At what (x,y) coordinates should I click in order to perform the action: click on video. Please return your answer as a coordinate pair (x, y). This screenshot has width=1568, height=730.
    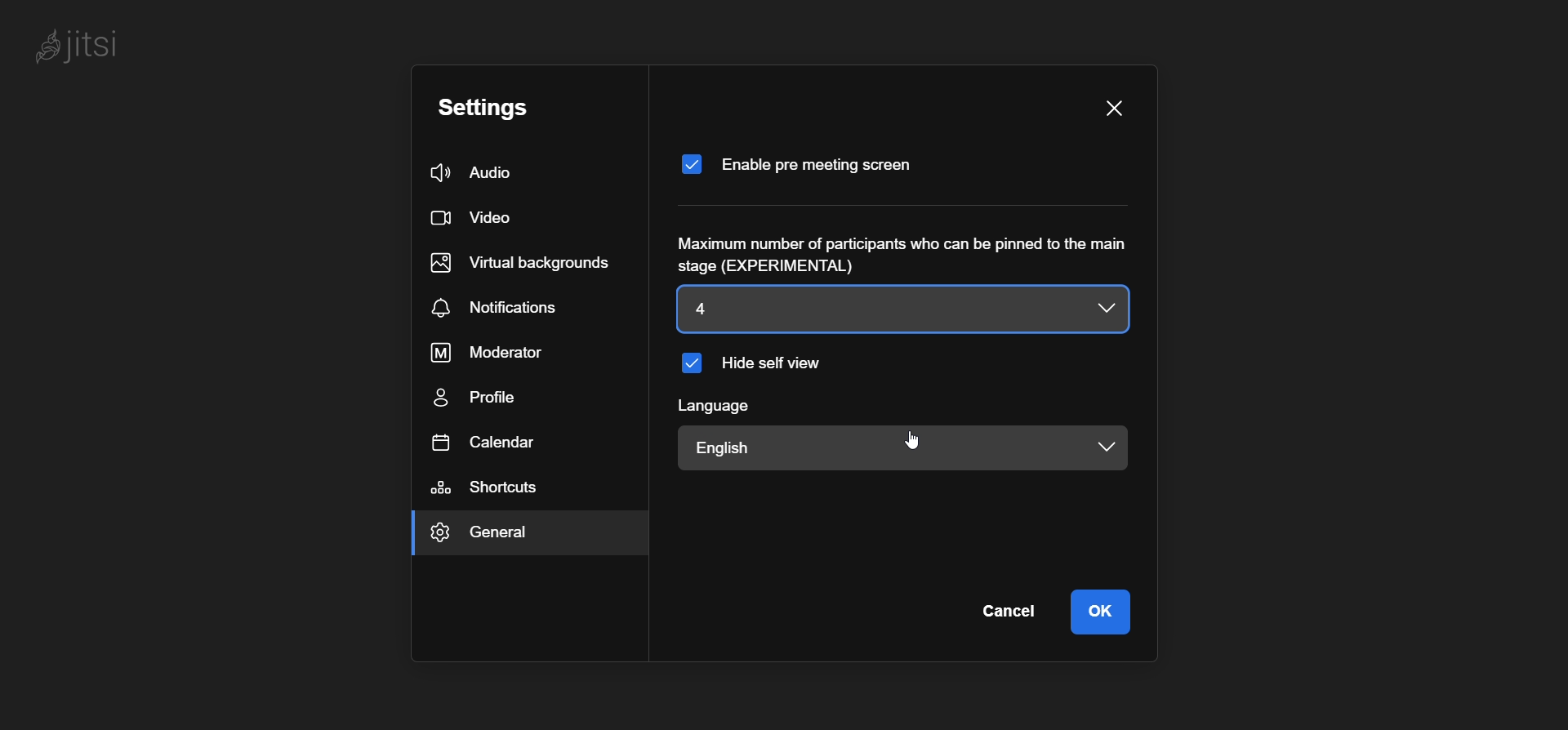
    Looking at the image, I should click on (470, 220).